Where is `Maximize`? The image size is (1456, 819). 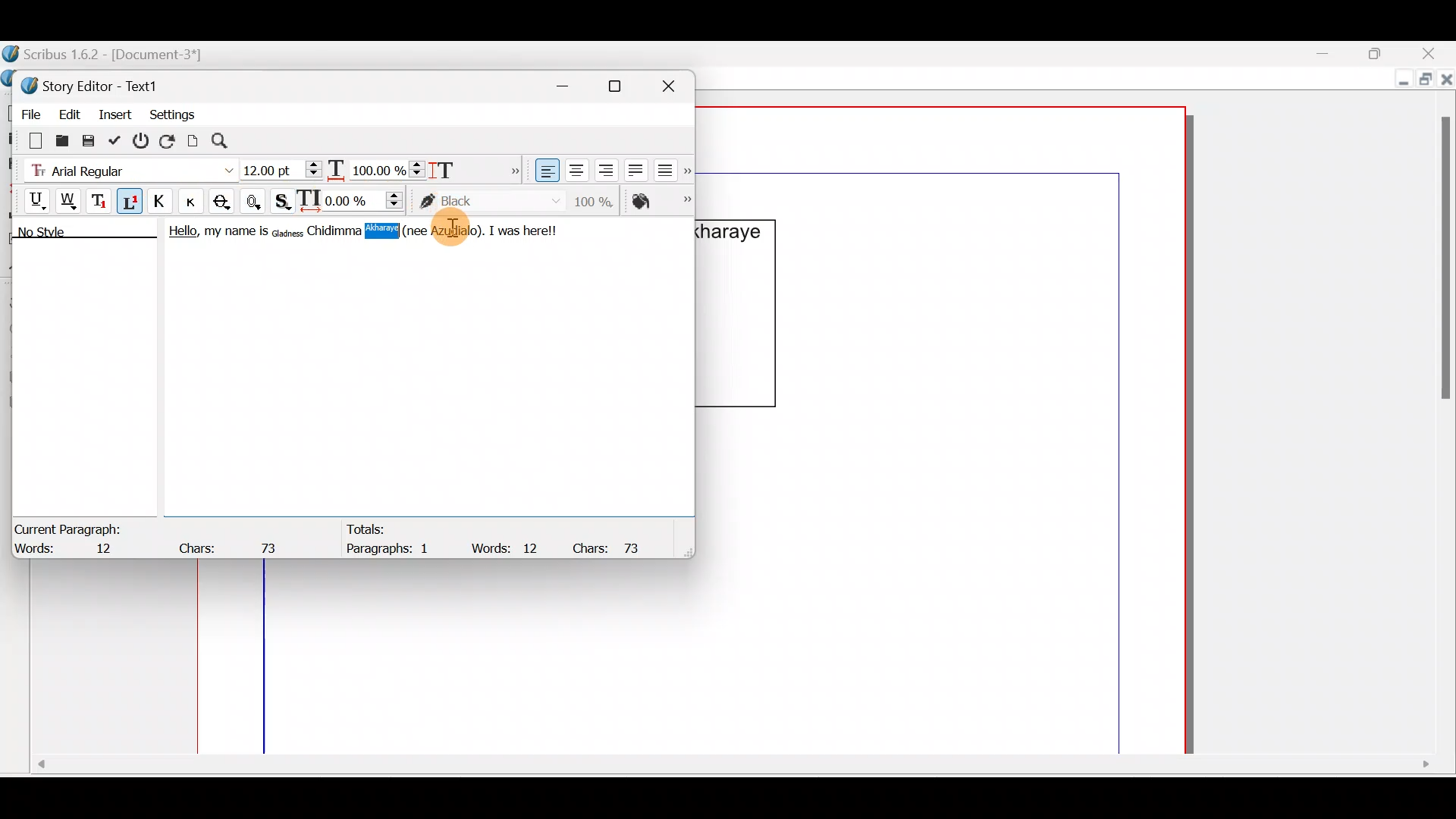
Maximize is located at coordinates (1384, 52).